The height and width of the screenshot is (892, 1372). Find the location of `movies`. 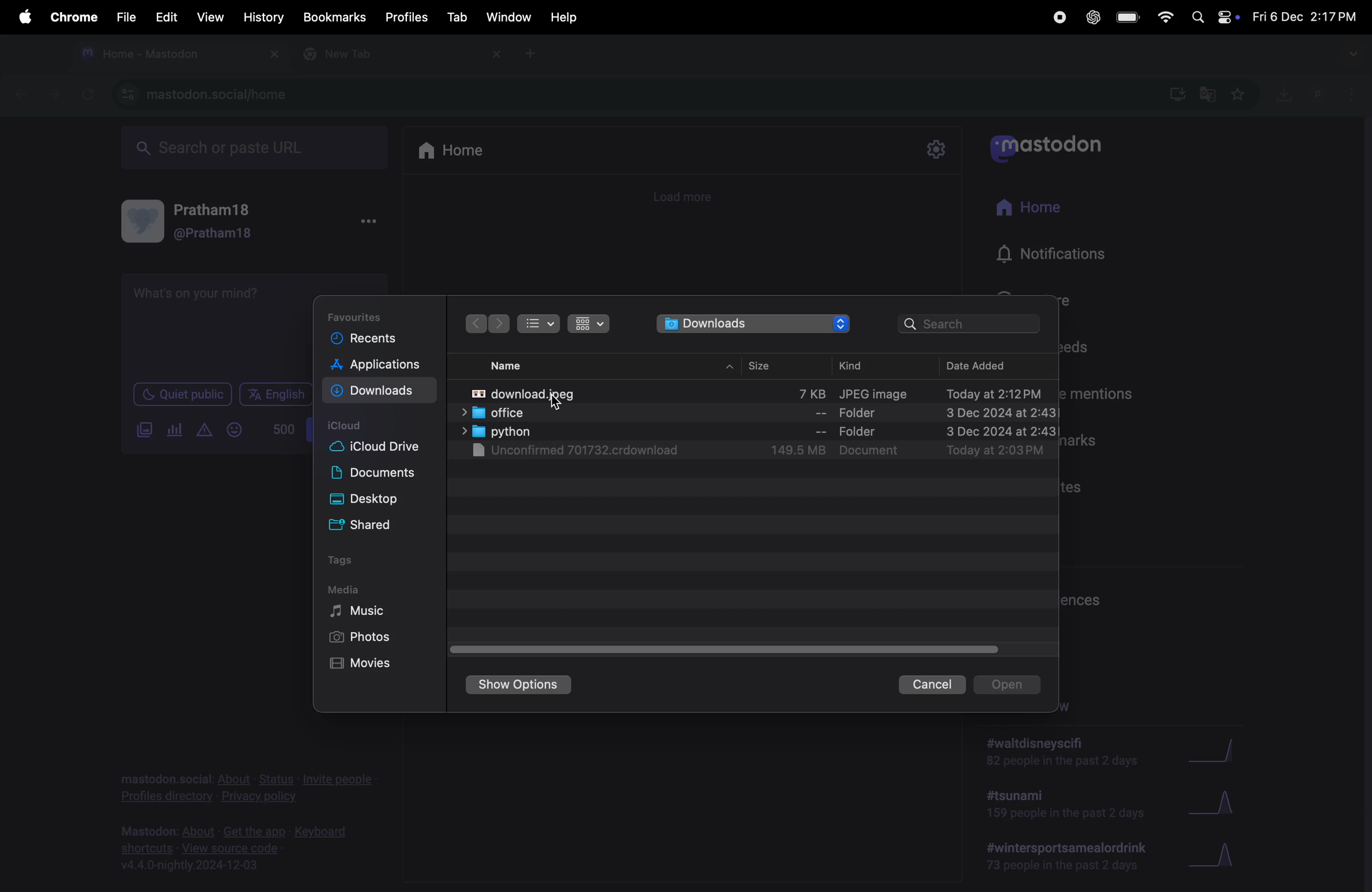

movies is located at coordinates (363, 664).